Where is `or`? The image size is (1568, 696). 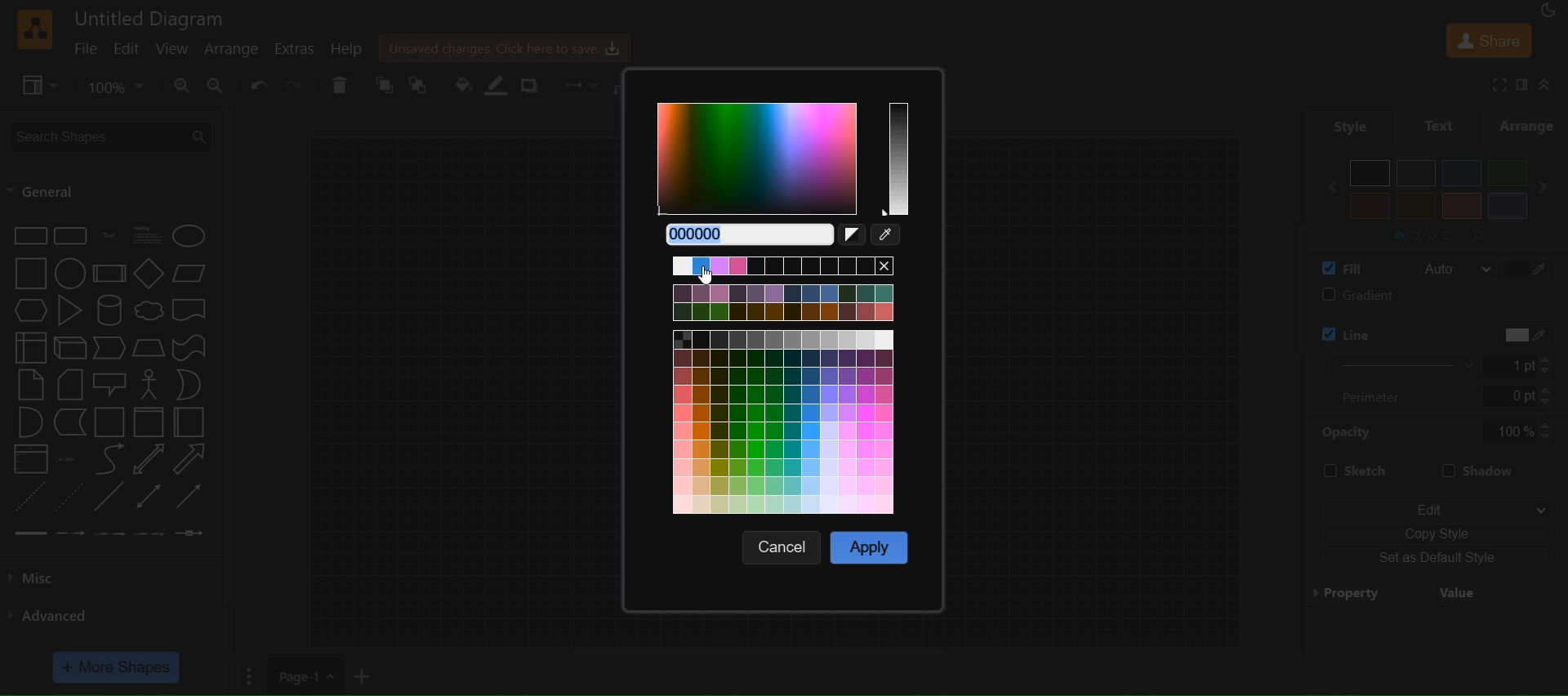
or is located at coordinates (189, 384).